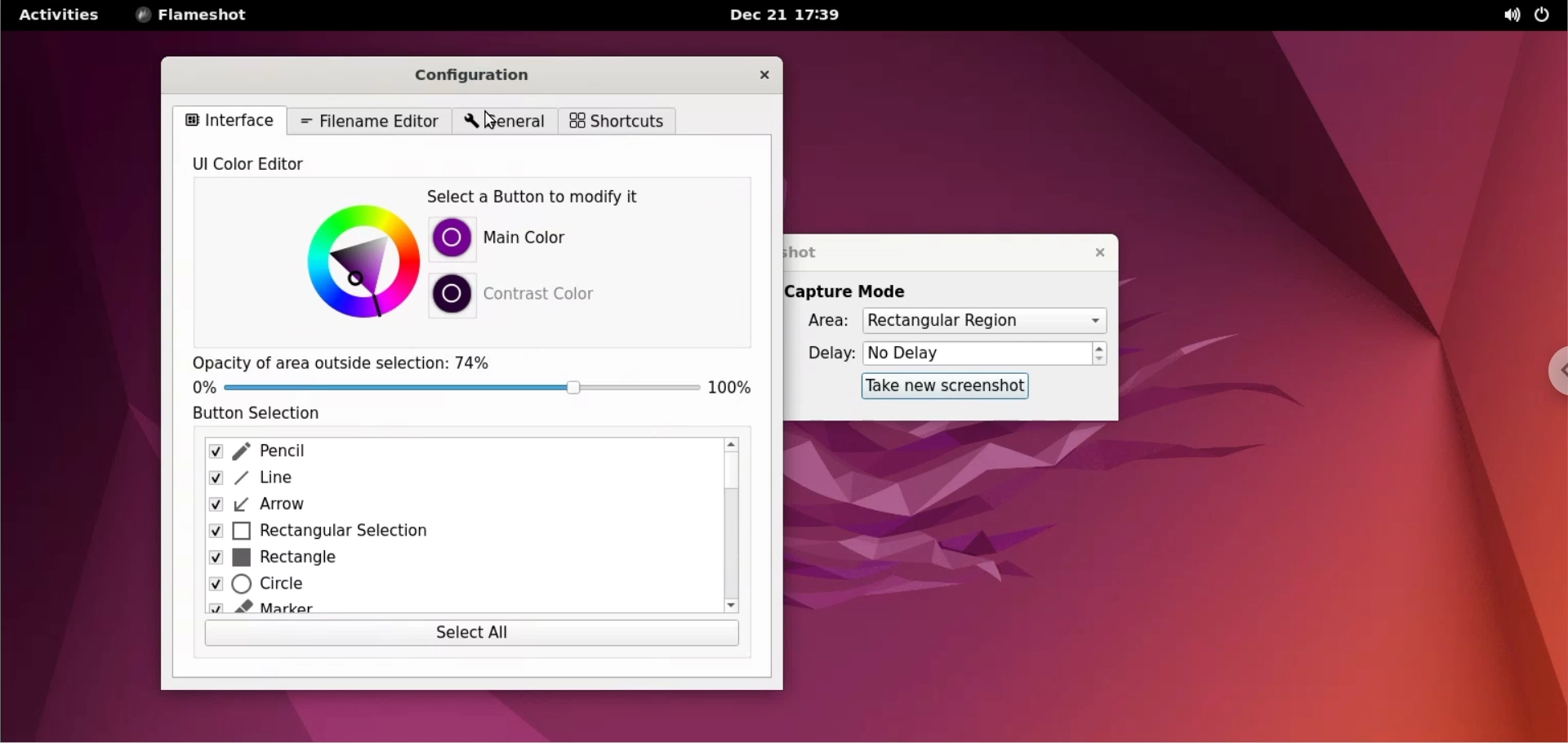 Image resolution: width=1568 pixels, height=743 pixels. Describe the element at coordinates (859, 291) in the screenshot. I see `capture mode` at that location.